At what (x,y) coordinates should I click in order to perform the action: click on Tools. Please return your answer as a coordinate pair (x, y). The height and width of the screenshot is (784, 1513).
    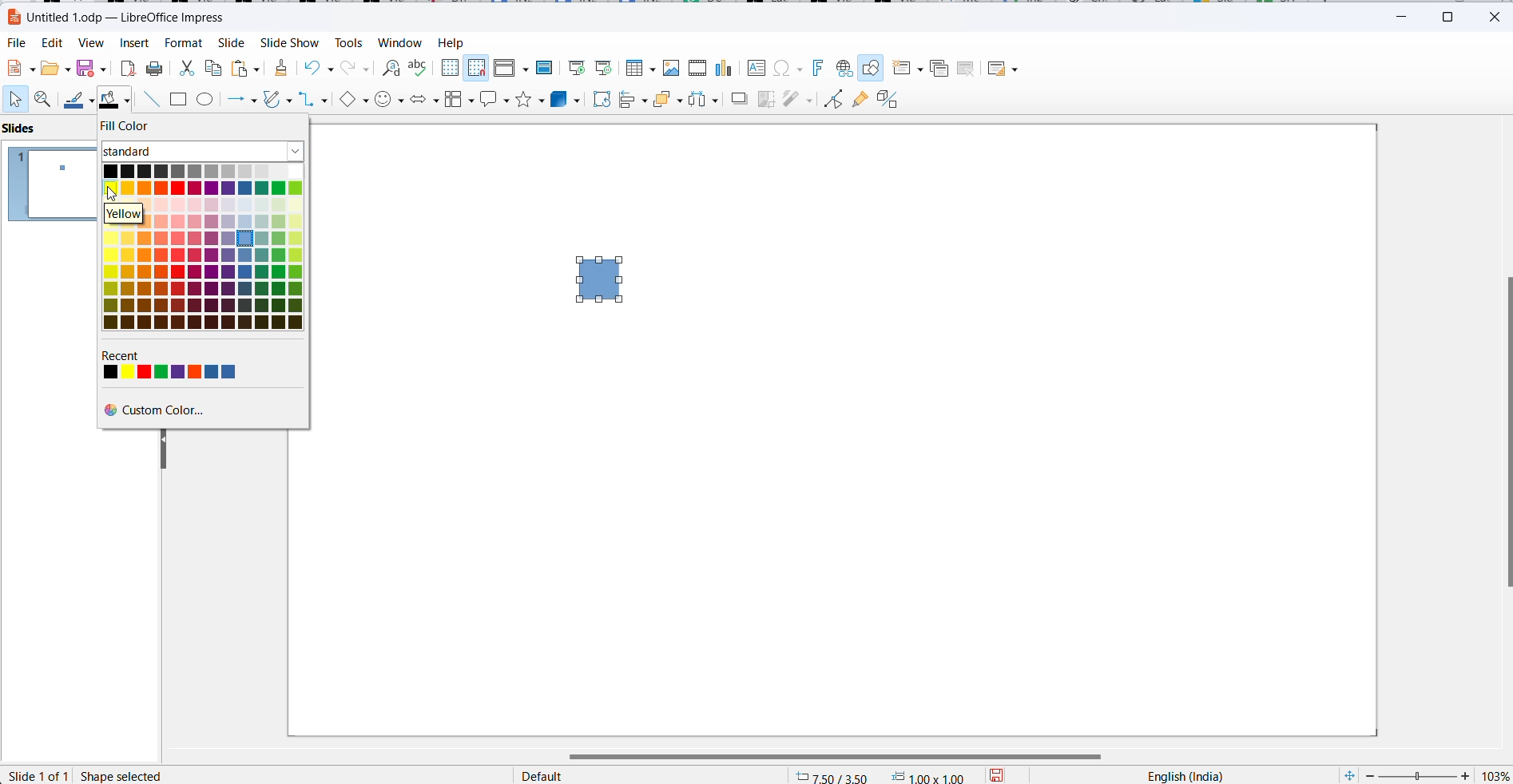
    Looking at the image, I should click on (347, 43).